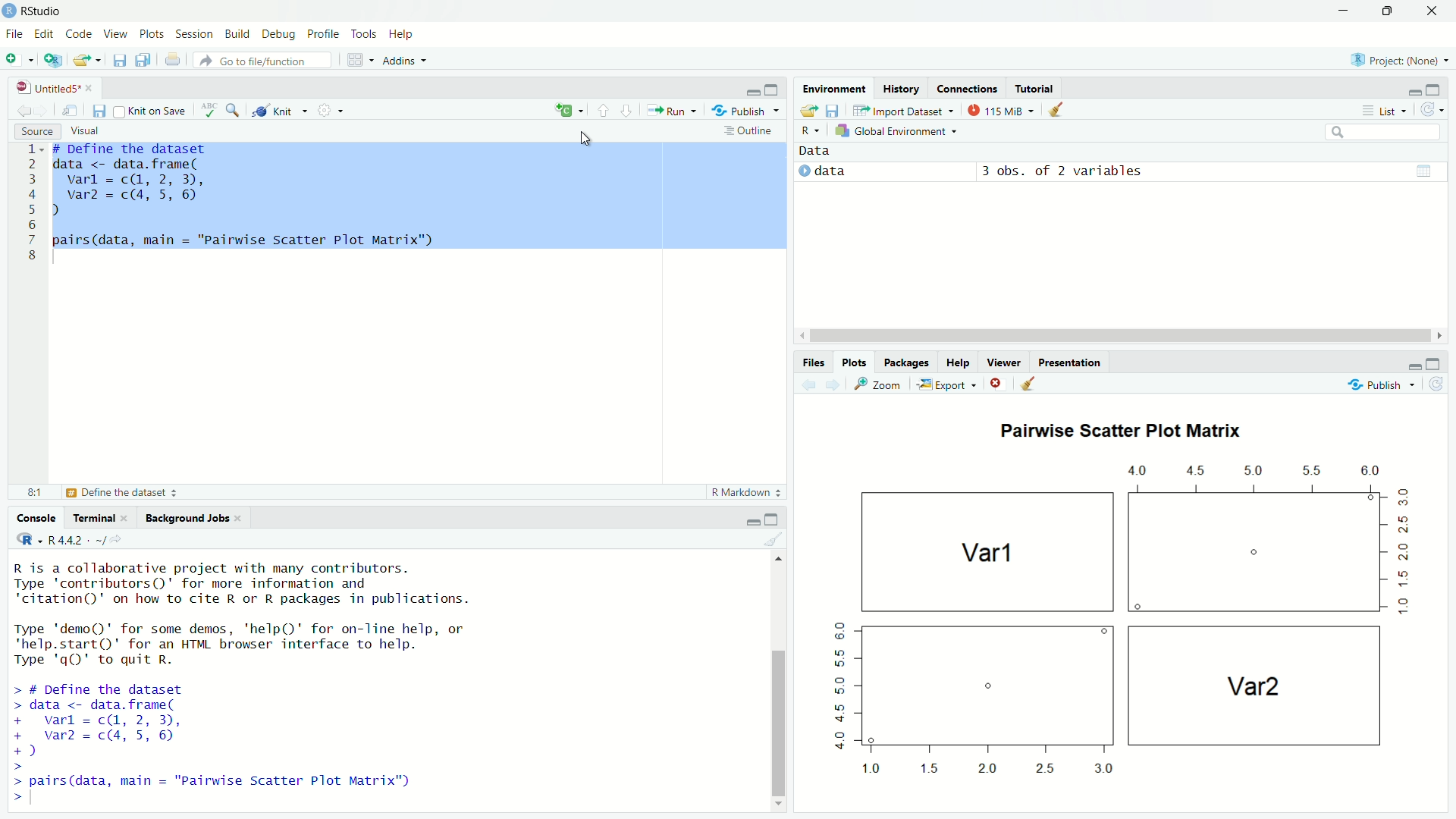 Image resolution: width=1456 pixels, height=819 pixels. Describe the element at coordinates (797, 334) in the screenshot. I see `Left` at that location.